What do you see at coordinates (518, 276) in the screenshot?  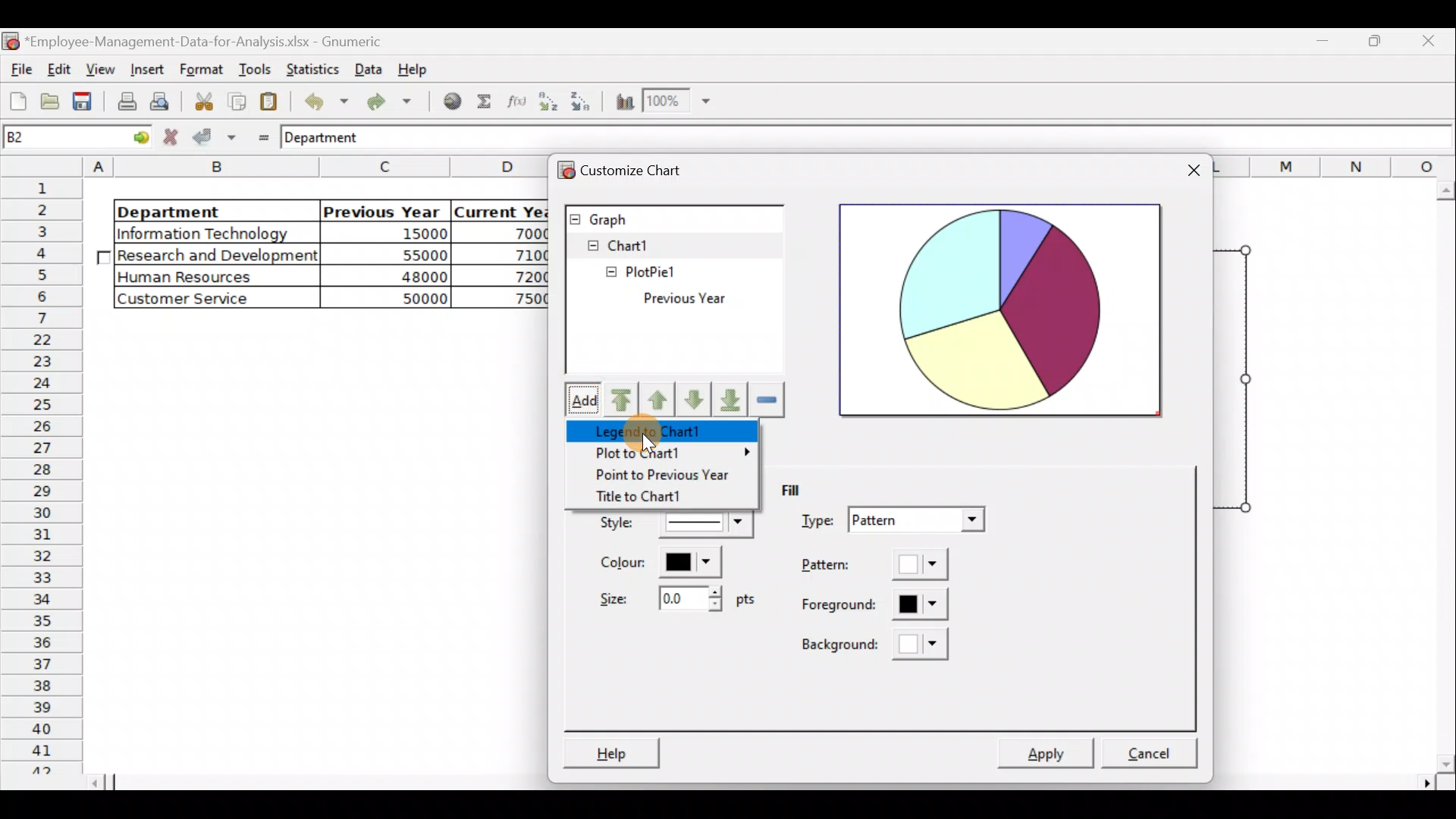 I see `72000` at bounding box center [518, 276].